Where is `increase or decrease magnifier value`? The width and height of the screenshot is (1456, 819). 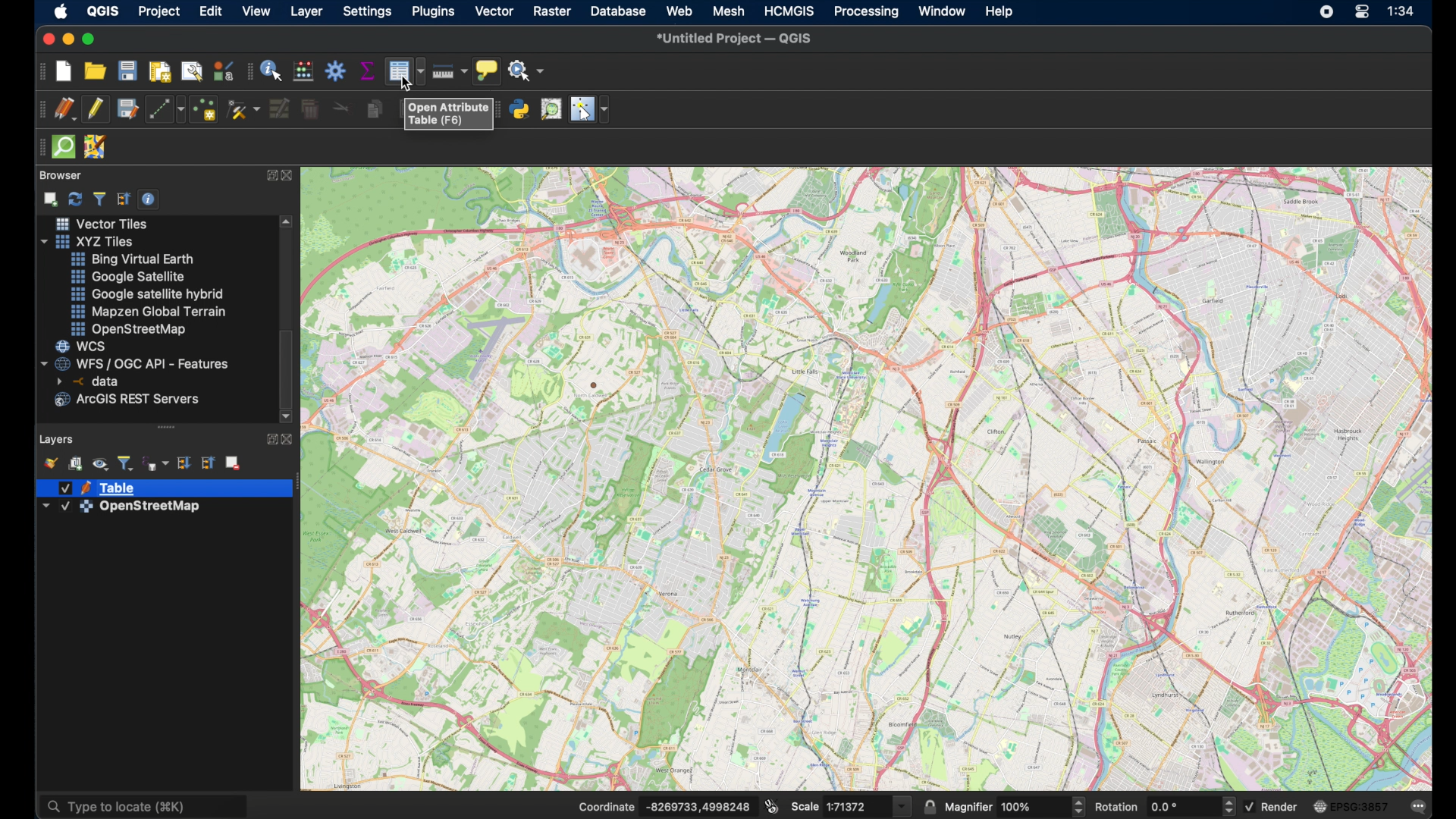 increase or decrease magnifier value is located at coordinates (1081, 805).